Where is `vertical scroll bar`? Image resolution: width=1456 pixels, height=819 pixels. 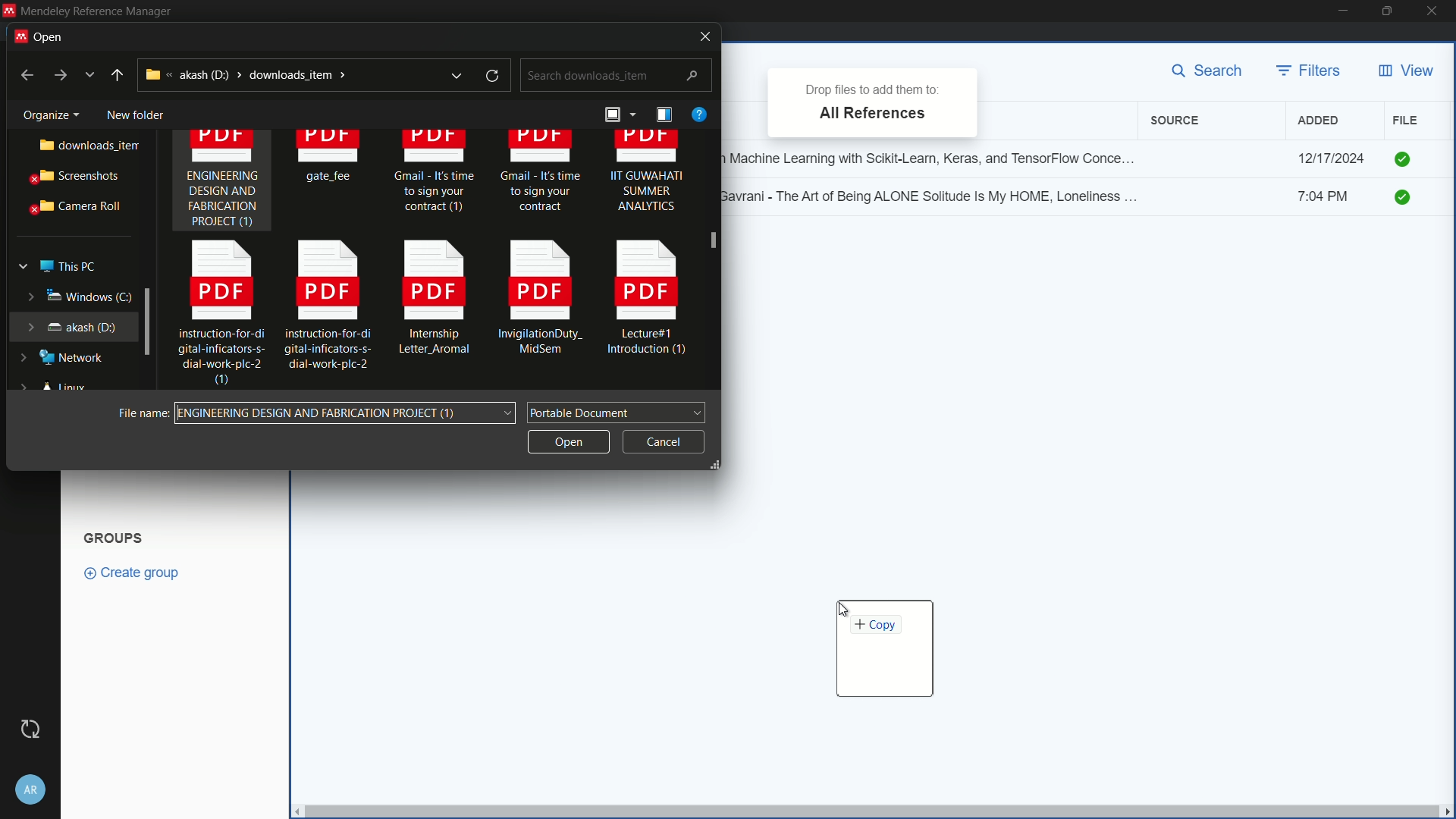
vertical scroll bar is located at coordinates (870, 811).